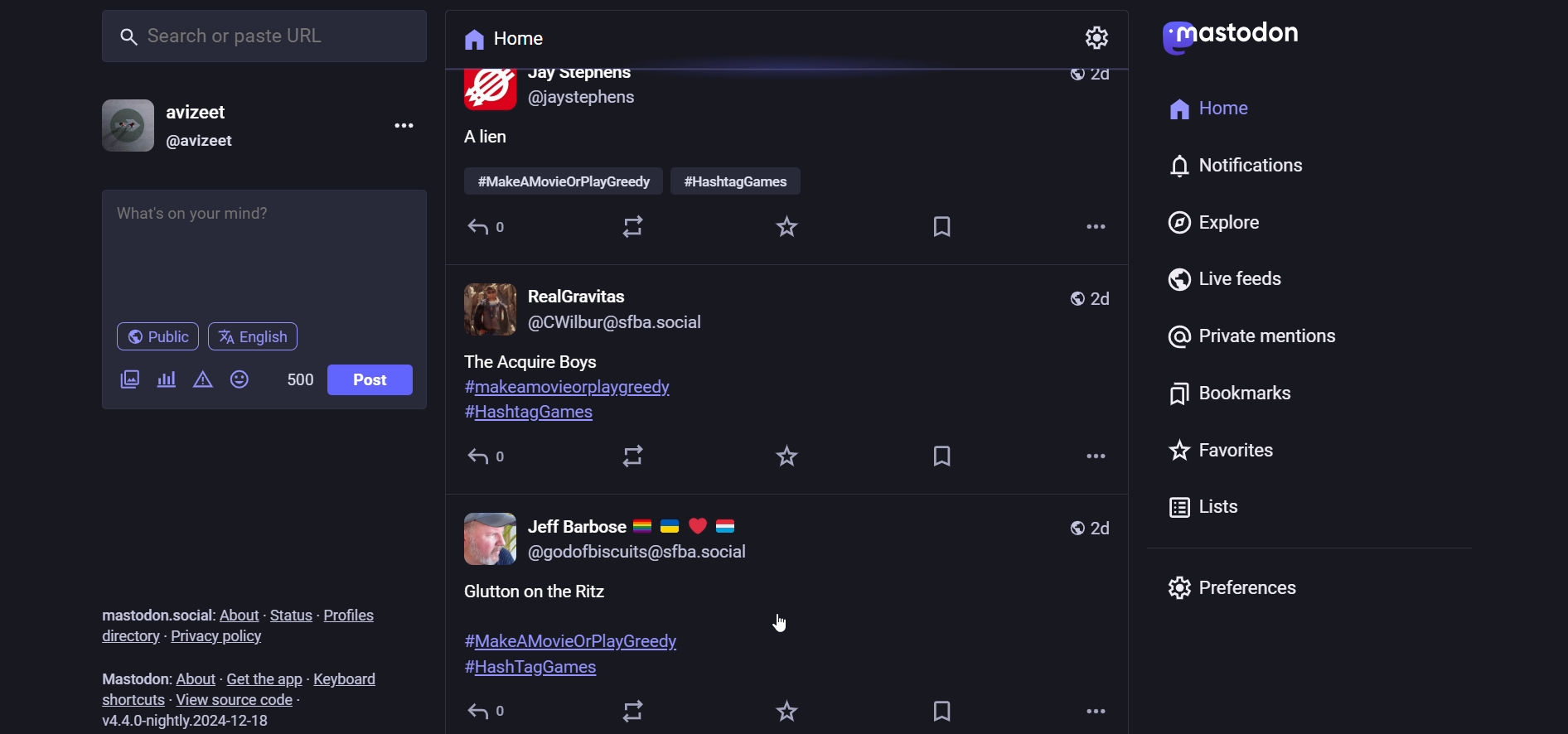 Image resolution: width=1568 pixels, height=734 pixels. Describe the element at coordinates (1211, 105) in the screenshot. I see `home` at that location.